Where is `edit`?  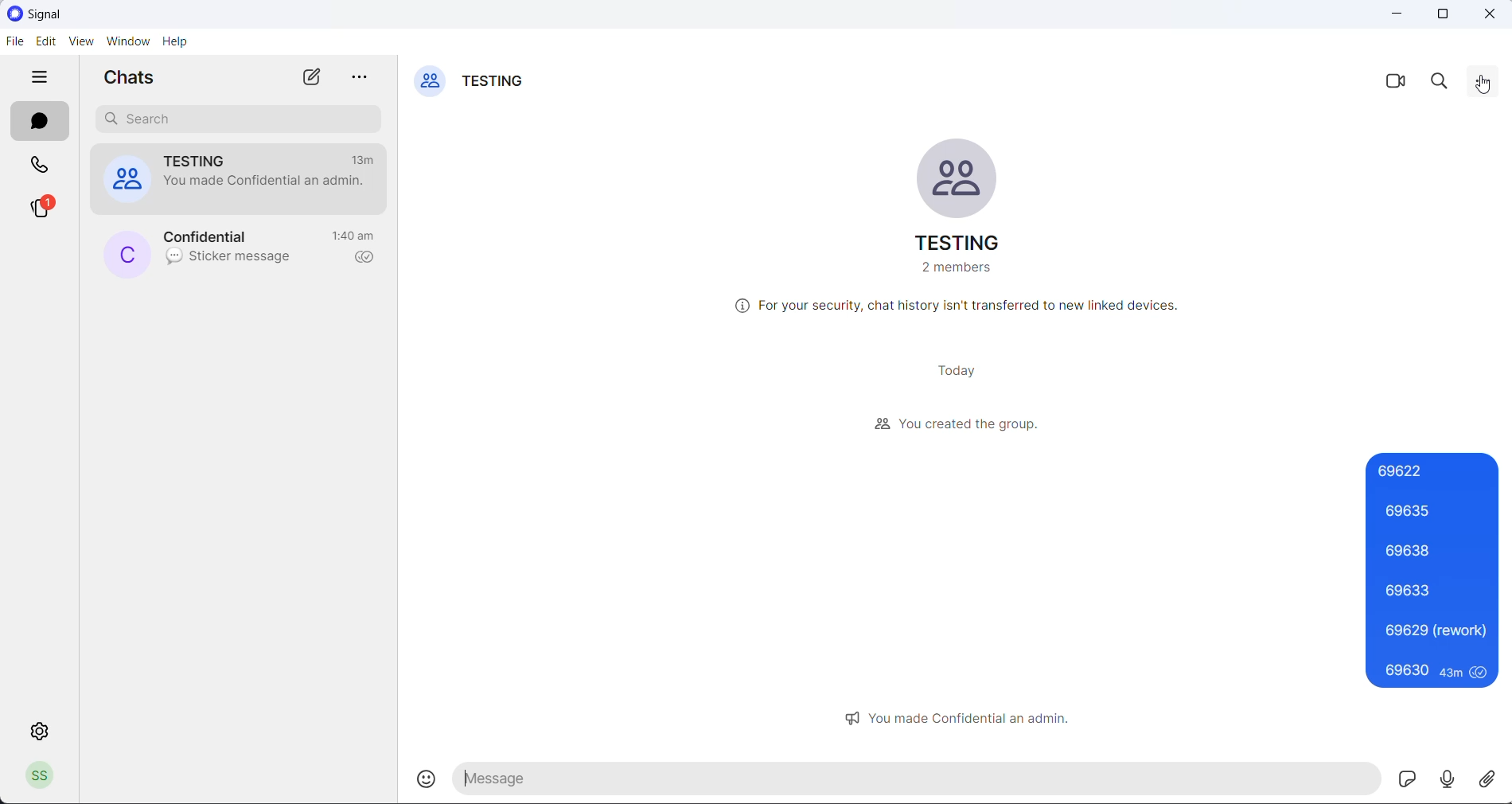 edit is located at coordinates (44, 45).